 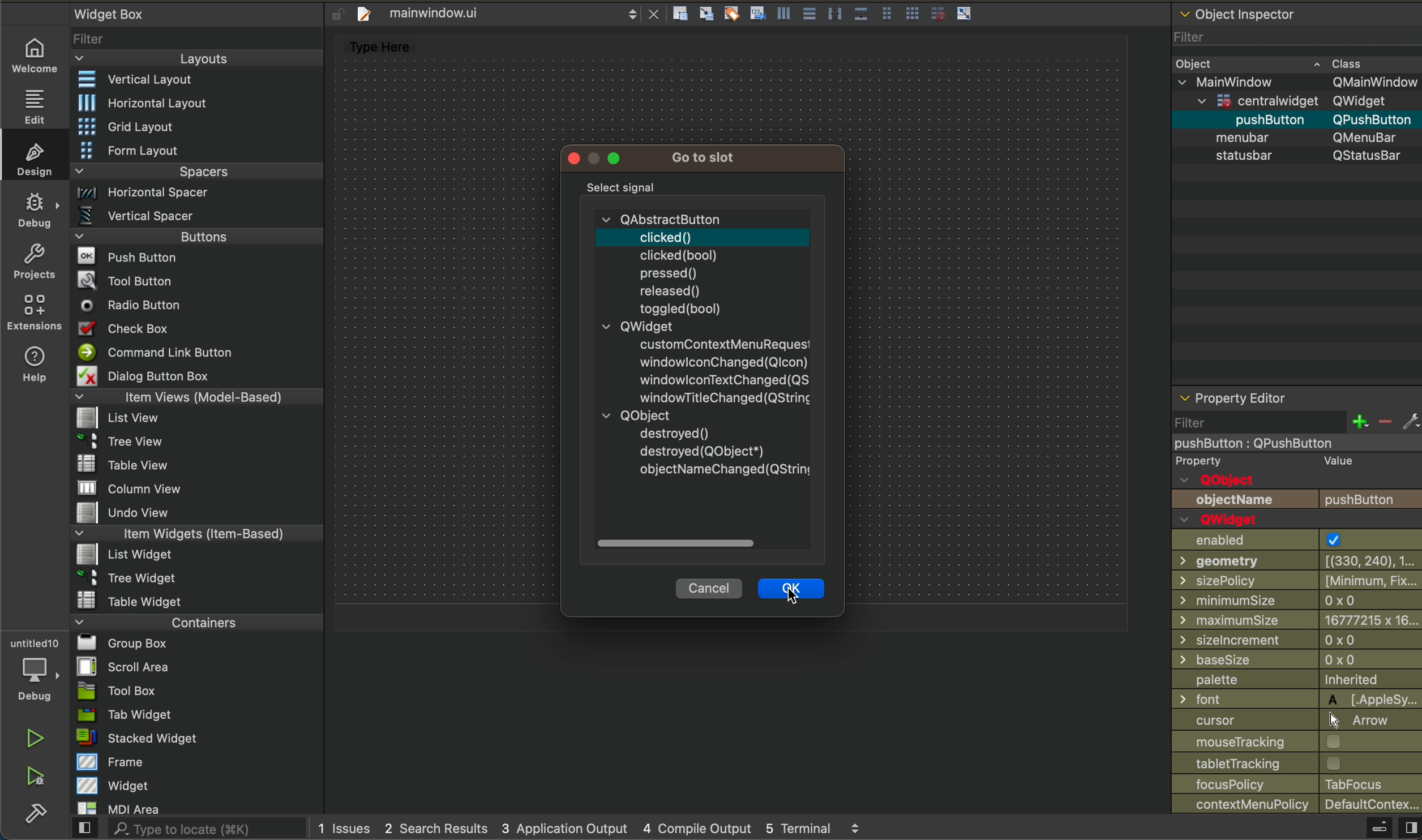 I want to click on scroll area, so click(x=200, y=670).